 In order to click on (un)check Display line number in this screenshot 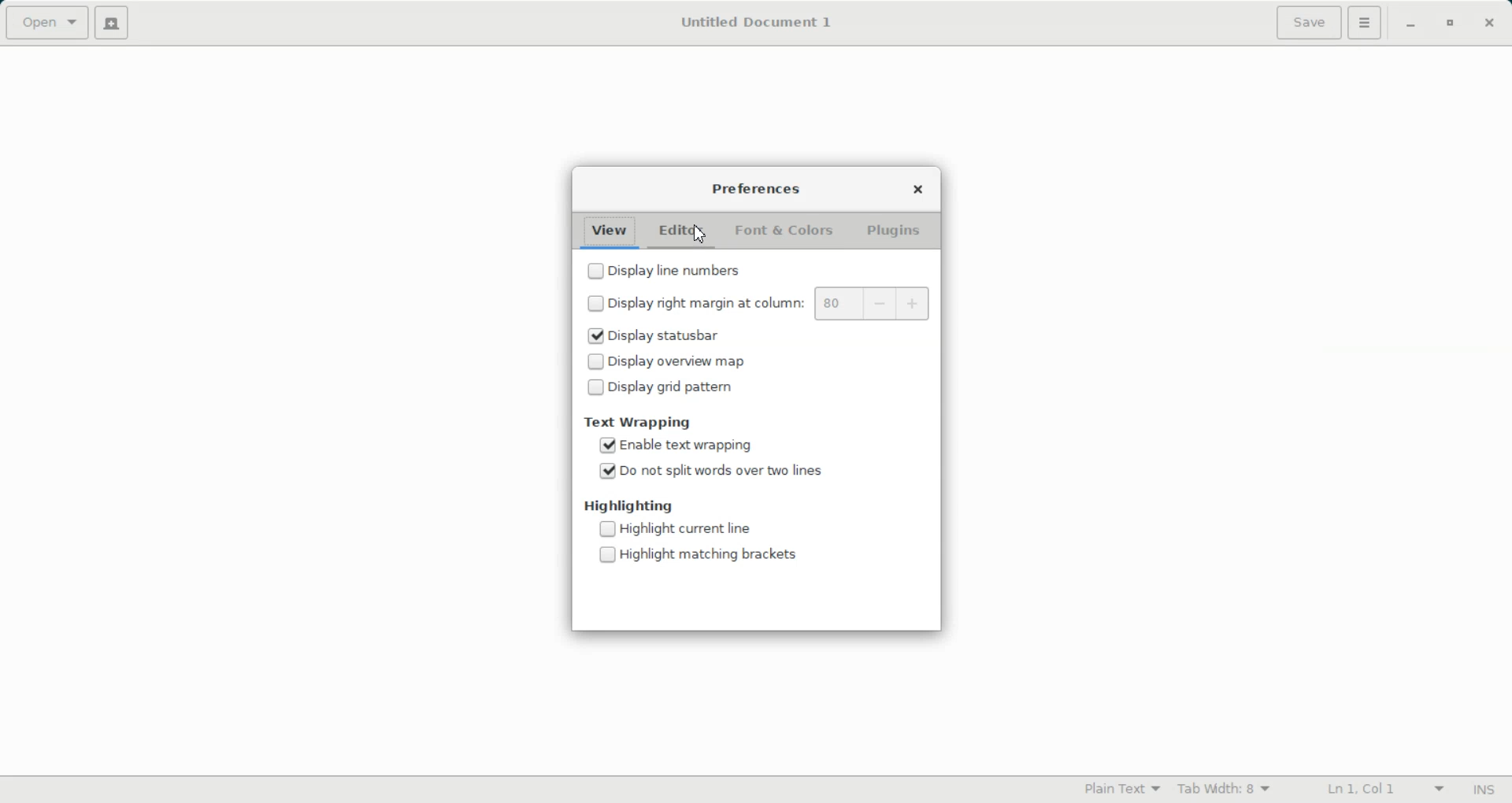, I will do `click(725, 267)`.